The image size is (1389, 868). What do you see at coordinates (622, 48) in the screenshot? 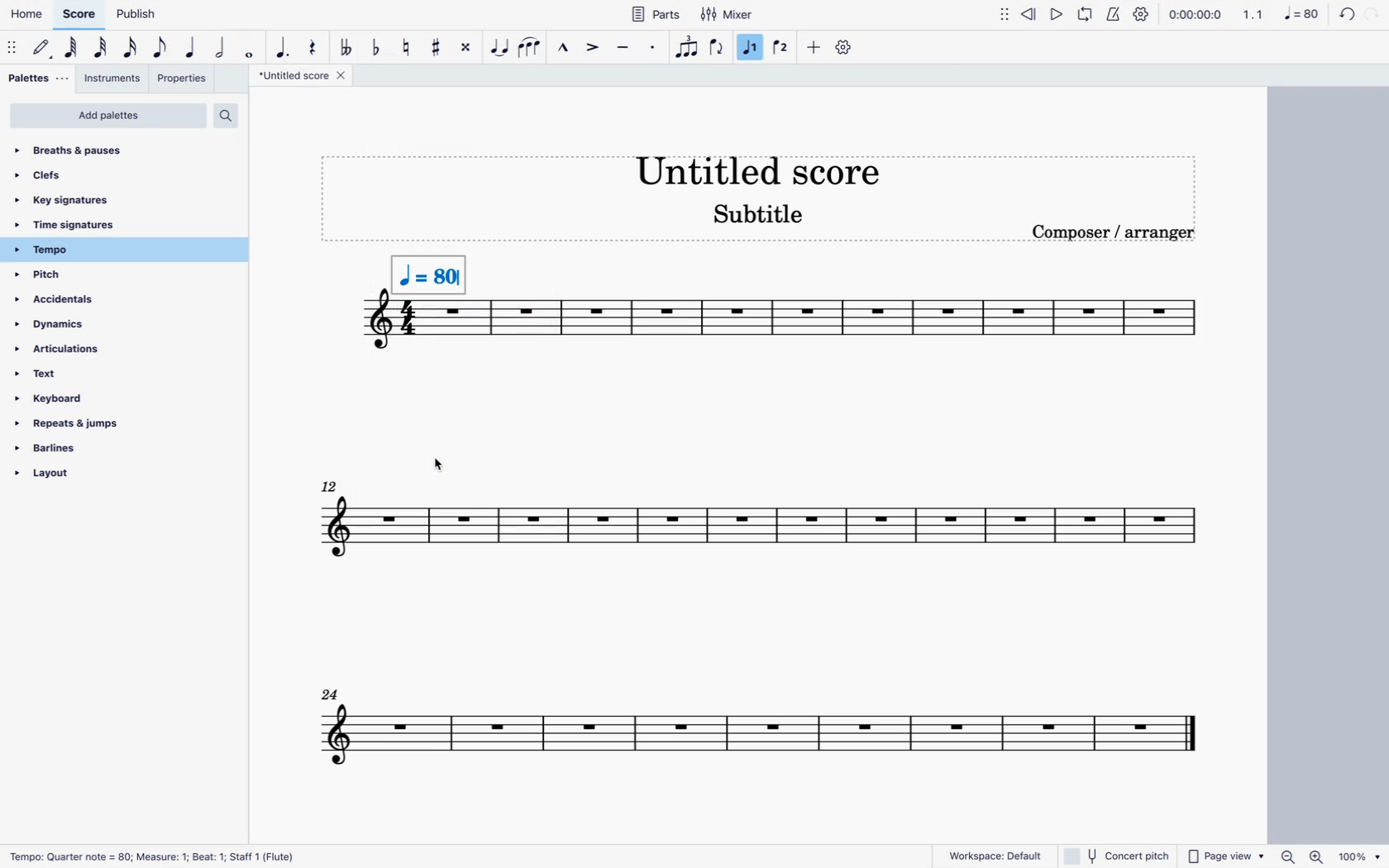
I see `tenuto` at bounding box center [622, 48].